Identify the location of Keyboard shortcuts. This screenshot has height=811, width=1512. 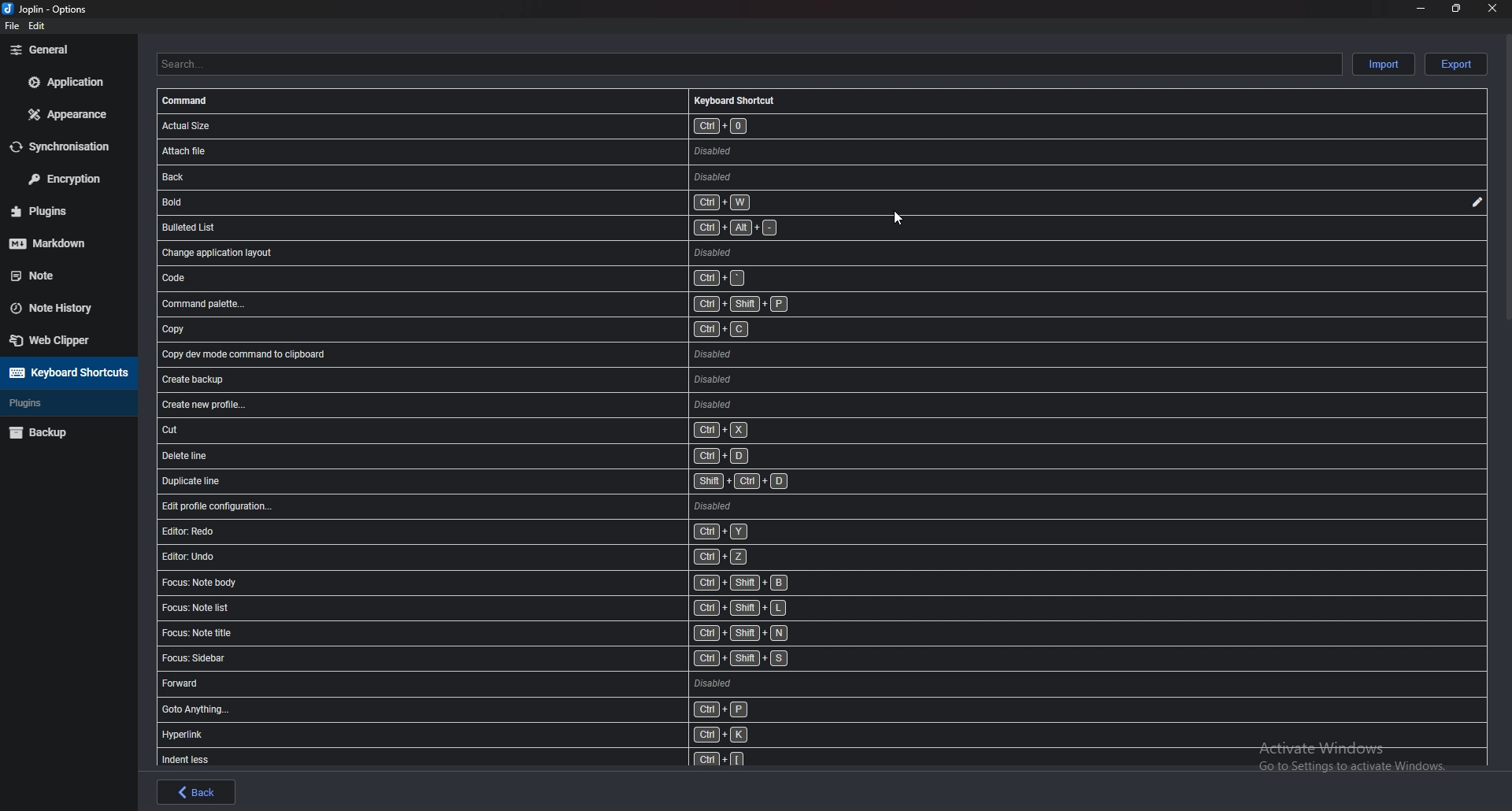
(68, 373).